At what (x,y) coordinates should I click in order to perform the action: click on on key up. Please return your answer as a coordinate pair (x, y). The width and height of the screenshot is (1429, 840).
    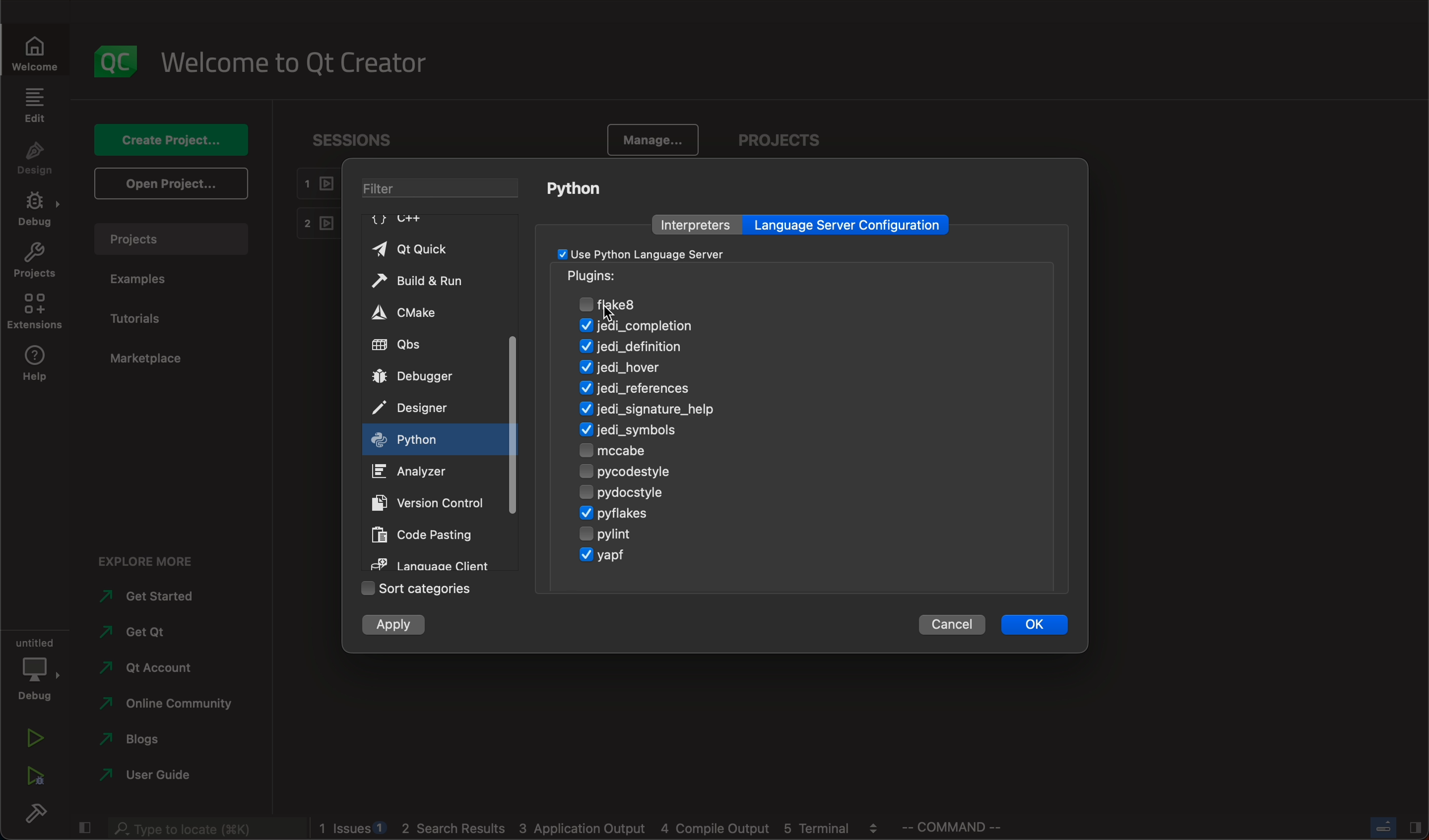
    Looking at the image, I should click on (418, 439).